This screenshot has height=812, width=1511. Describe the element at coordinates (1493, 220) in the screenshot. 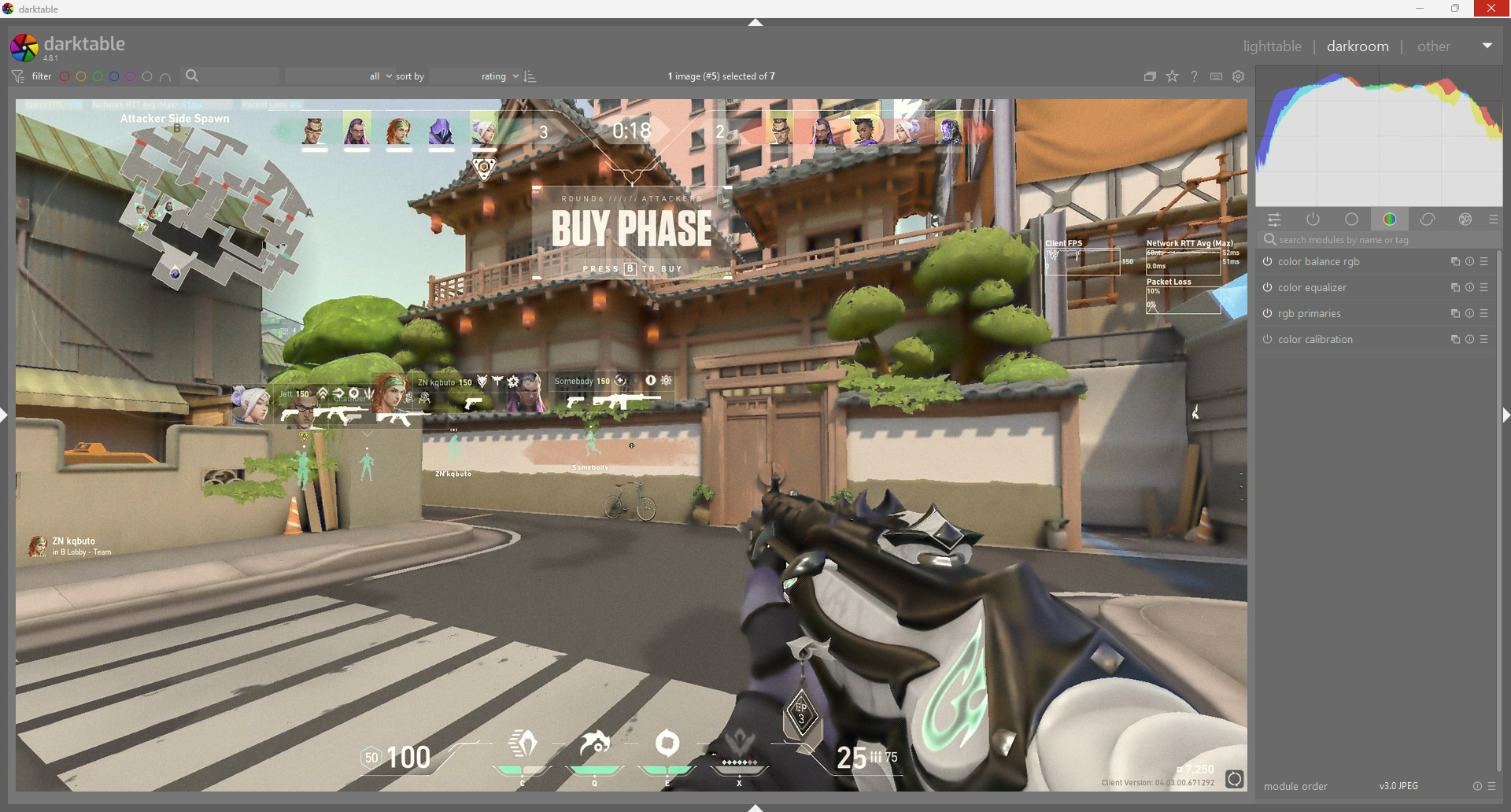

I see `presets` at that location.